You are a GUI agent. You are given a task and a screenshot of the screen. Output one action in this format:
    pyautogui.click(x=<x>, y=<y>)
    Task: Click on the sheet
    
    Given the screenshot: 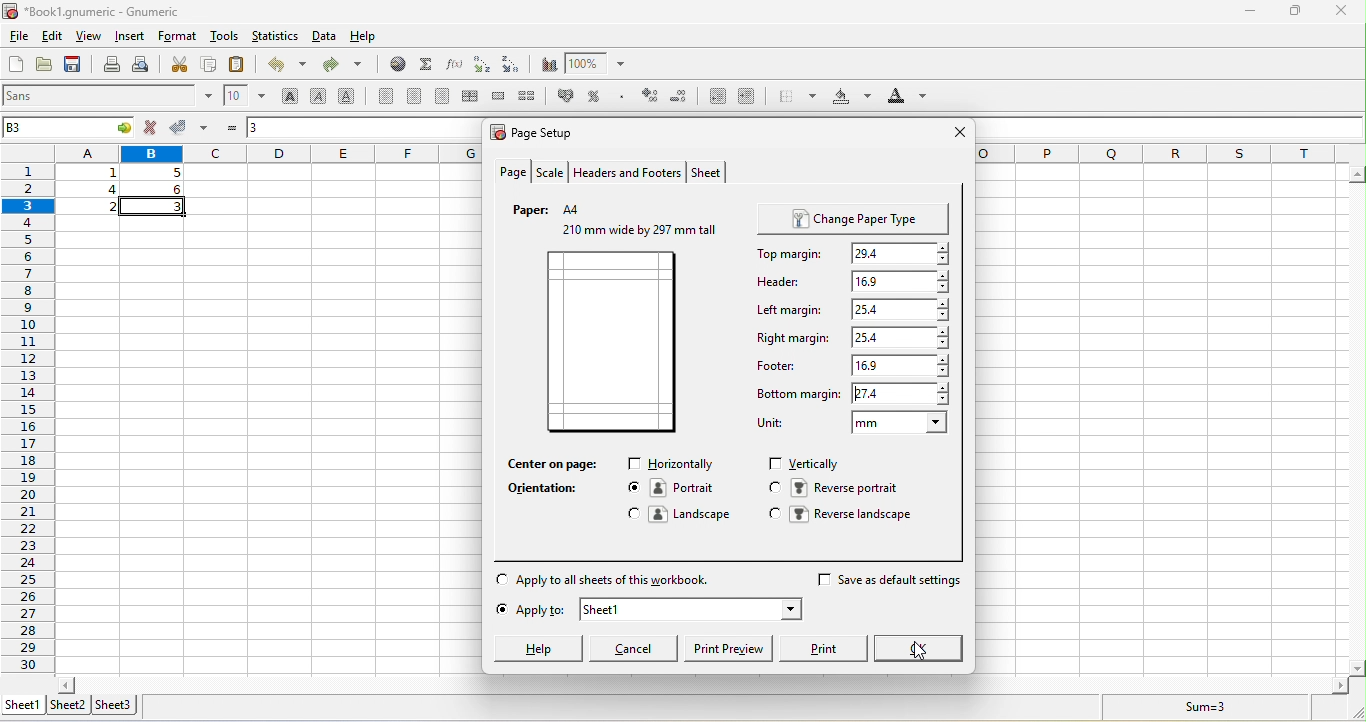 What is the action you would take?
    pyautogui.click(x=709, y=173)
    